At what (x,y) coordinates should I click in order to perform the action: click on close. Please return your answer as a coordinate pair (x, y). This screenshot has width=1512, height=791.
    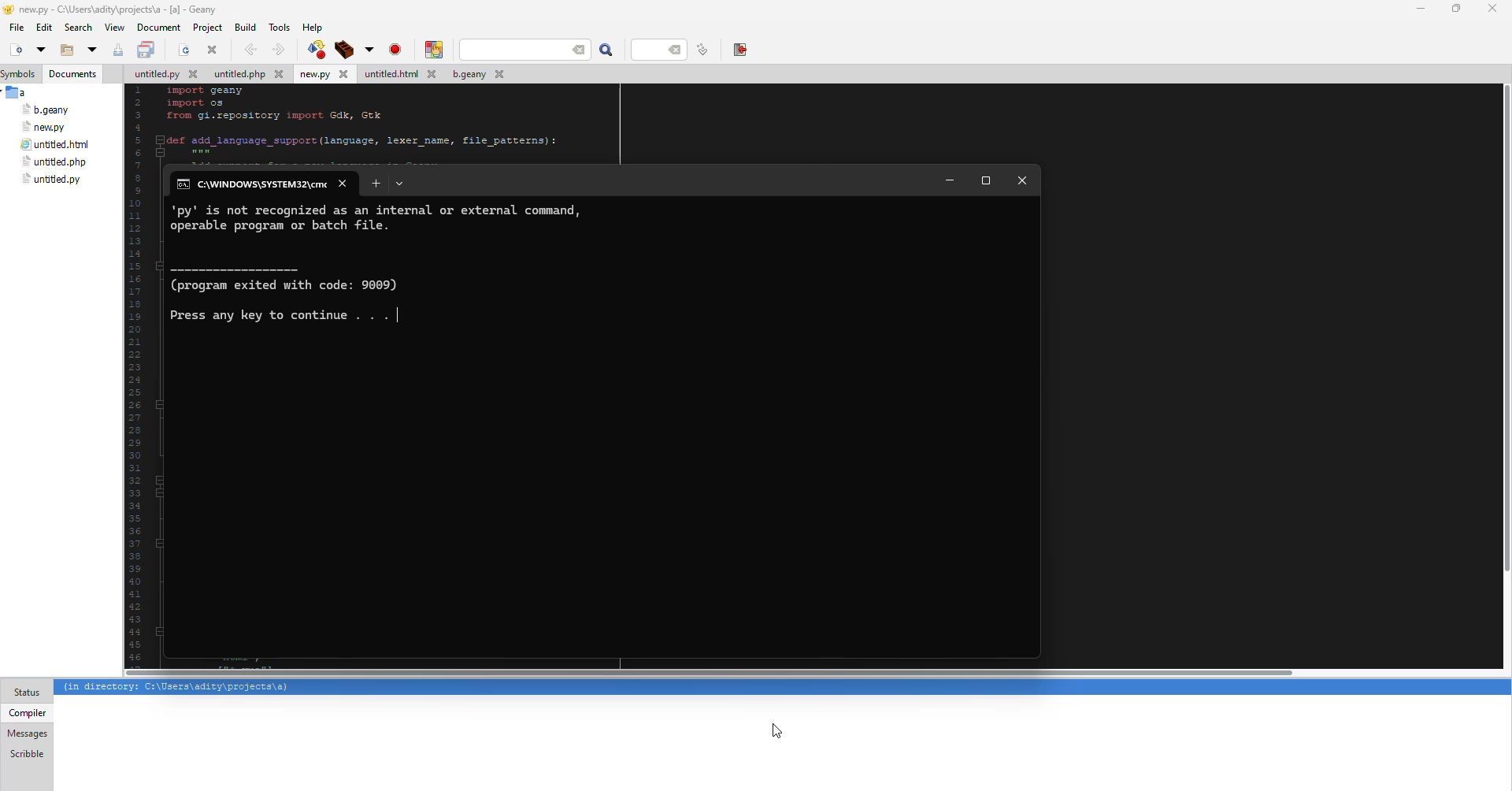
    Looking at the image, I should click on (213, 50).